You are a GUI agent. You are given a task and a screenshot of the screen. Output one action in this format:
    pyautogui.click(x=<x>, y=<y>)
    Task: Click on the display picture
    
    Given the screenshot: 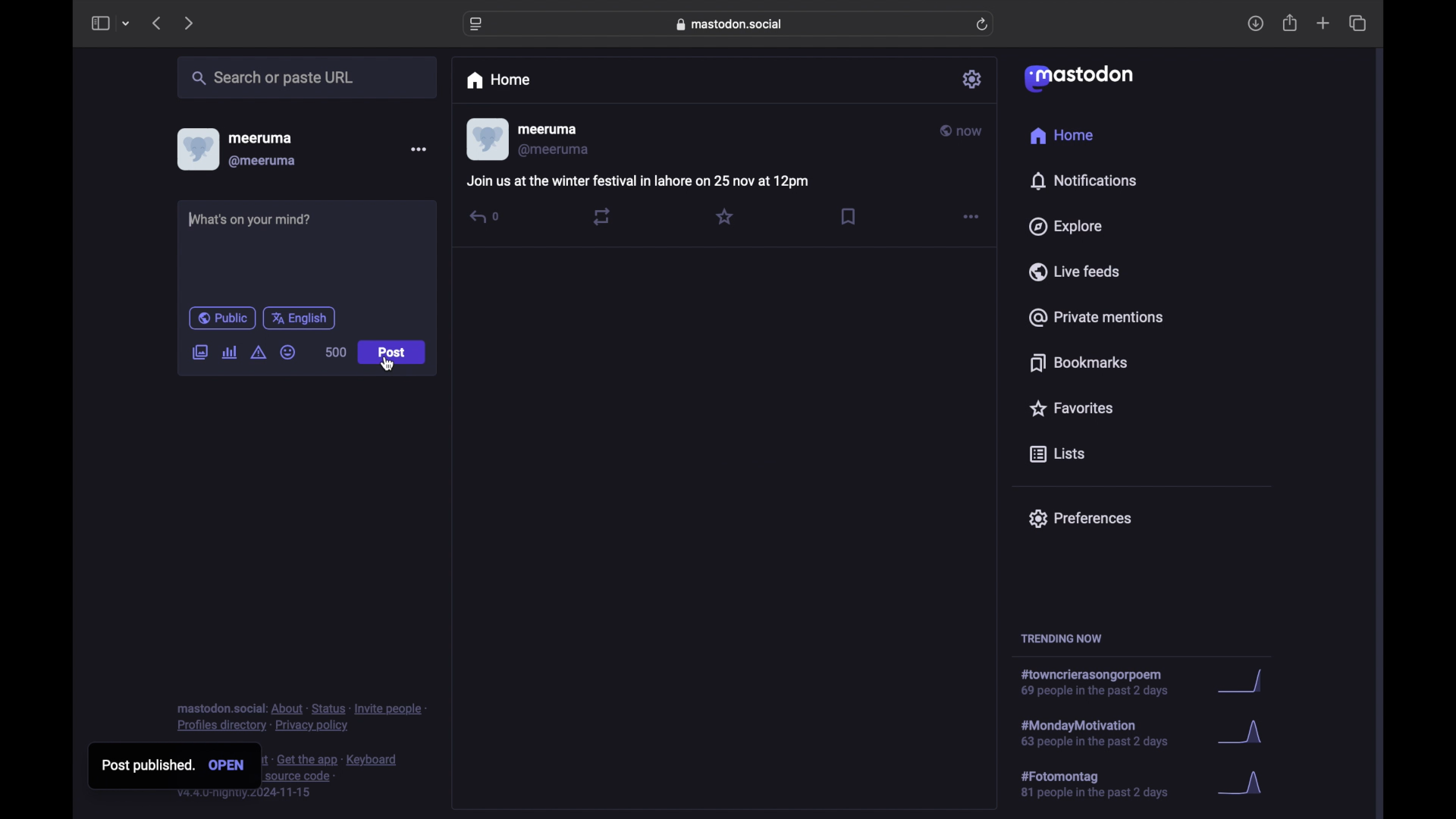 What is the action you would take?
    pyautogui.click(x=486, y=140)
    